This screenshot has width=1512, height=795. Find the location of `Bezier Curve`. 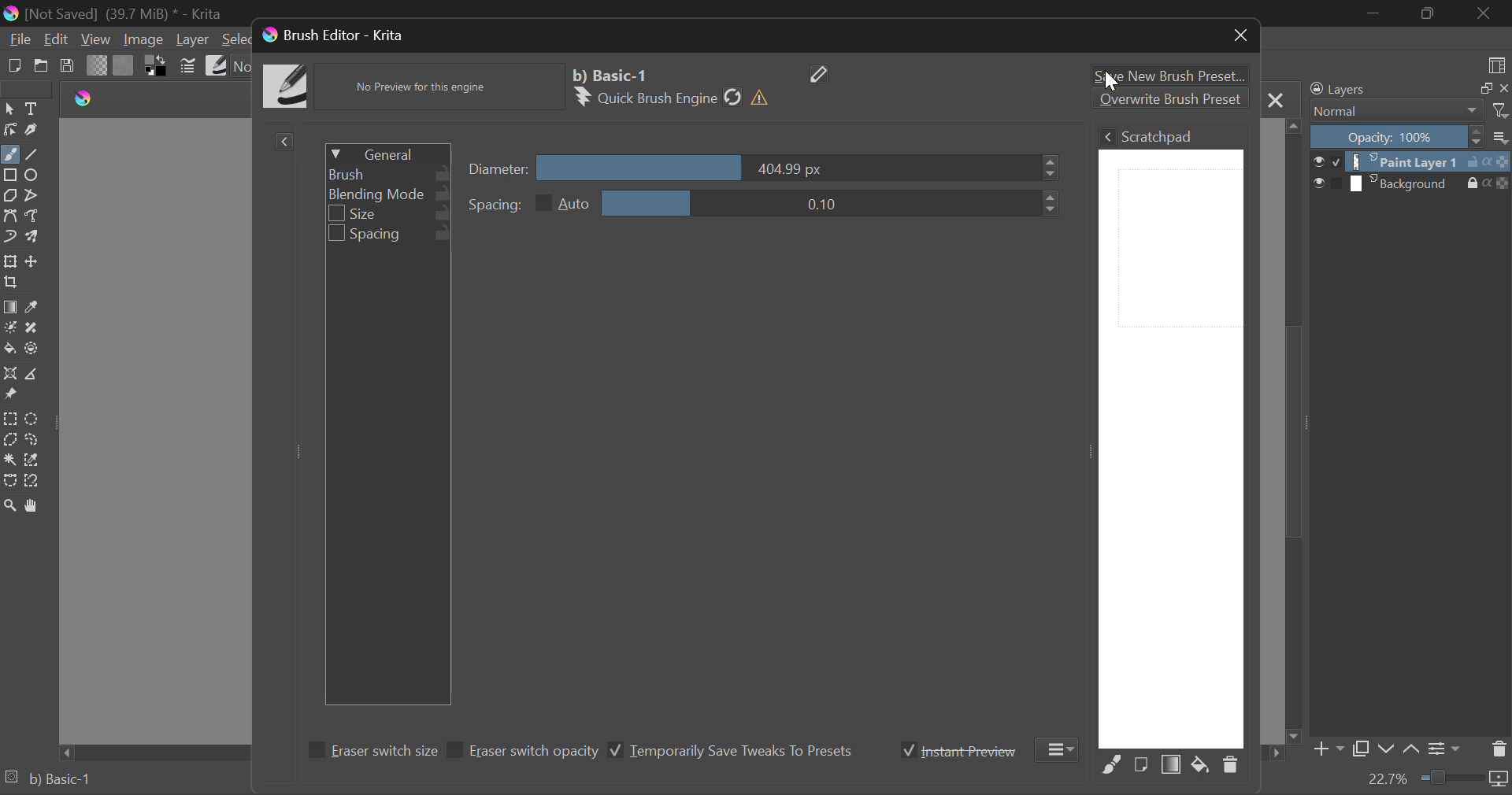

Bezier Curve is located at coordinates (9, 482).